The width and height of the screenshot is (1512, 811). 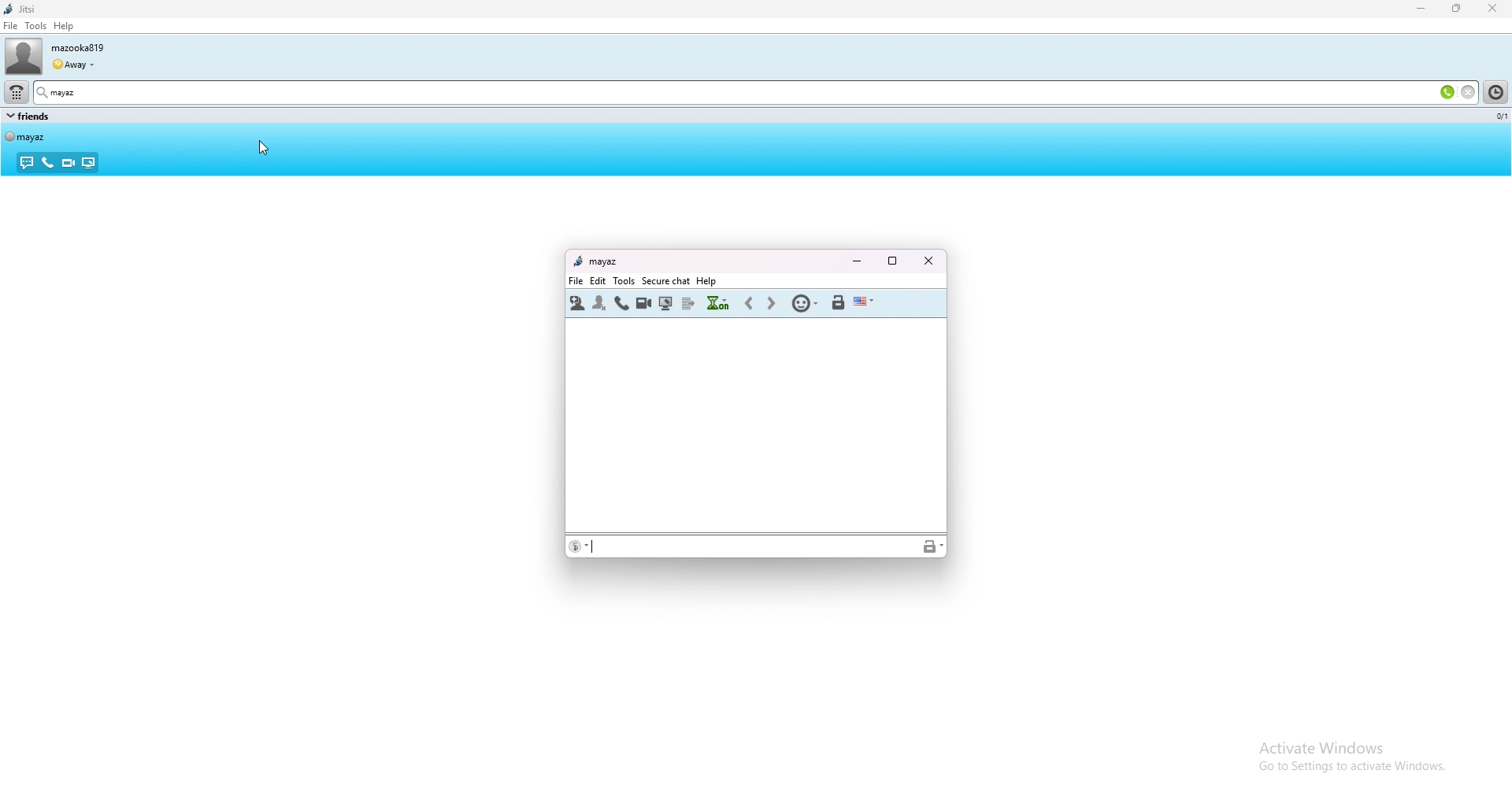 What do you see at coordinates (33, 136) in the screenshot?
I see `mayaz` at bounding box center [33, 136].